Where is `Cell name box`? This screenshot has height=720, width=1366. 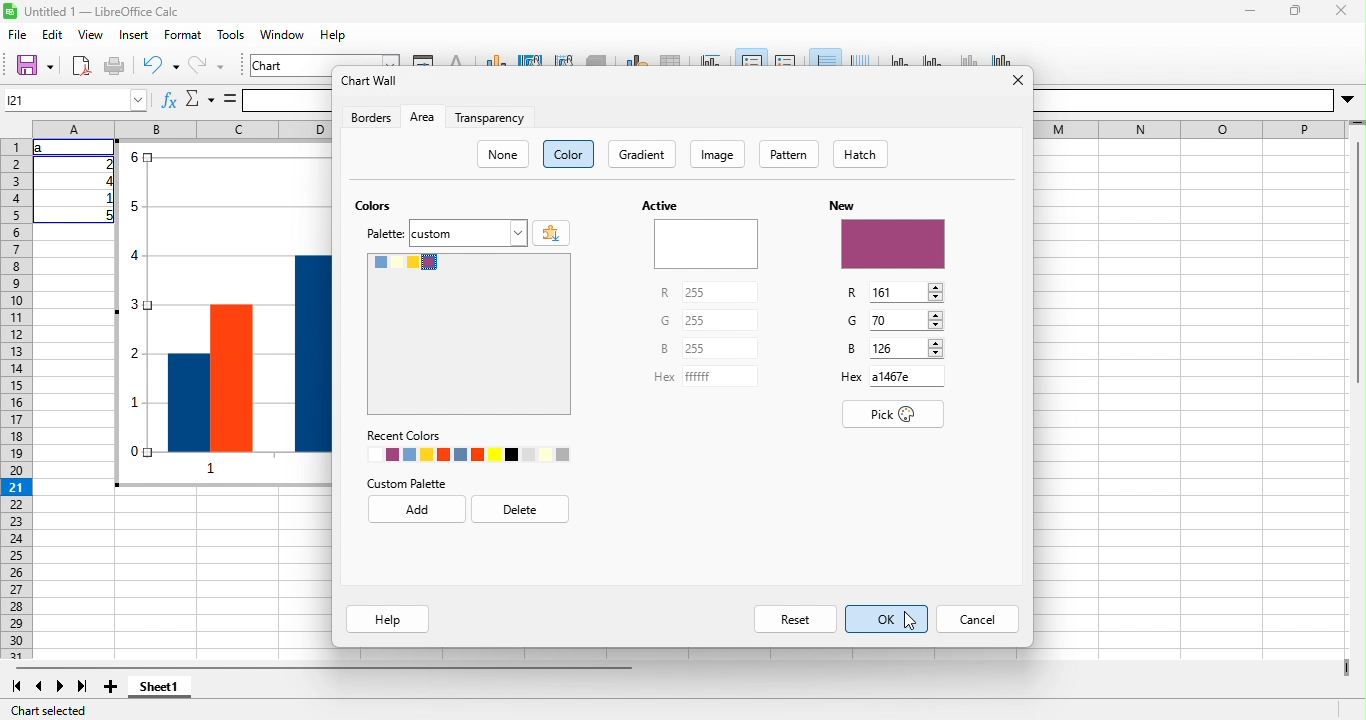
Cell name box is located at coordinates (76, 100).